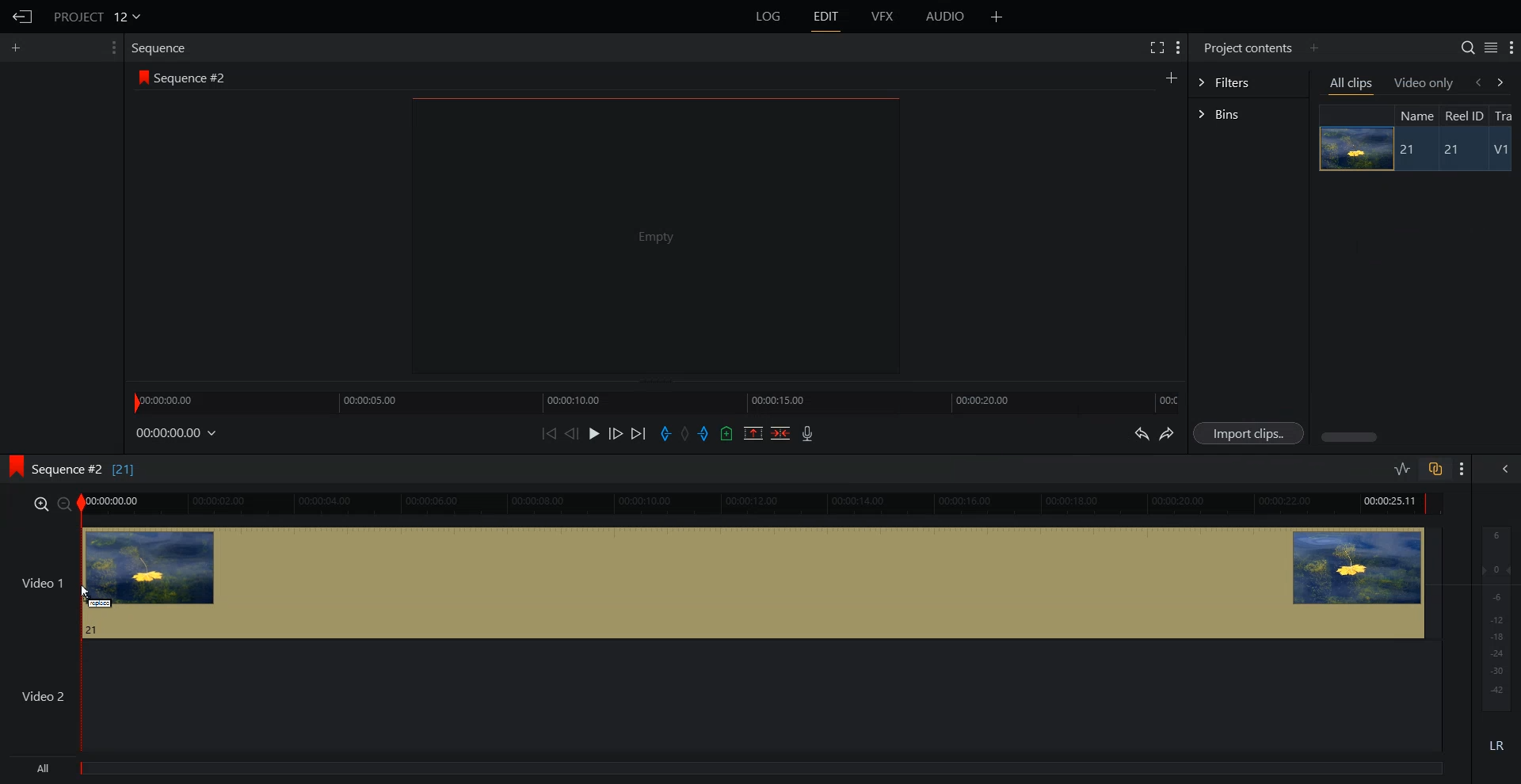  Describe the element at coordinates (1248, 82) in the screenshot. I see `Filters` at that location.